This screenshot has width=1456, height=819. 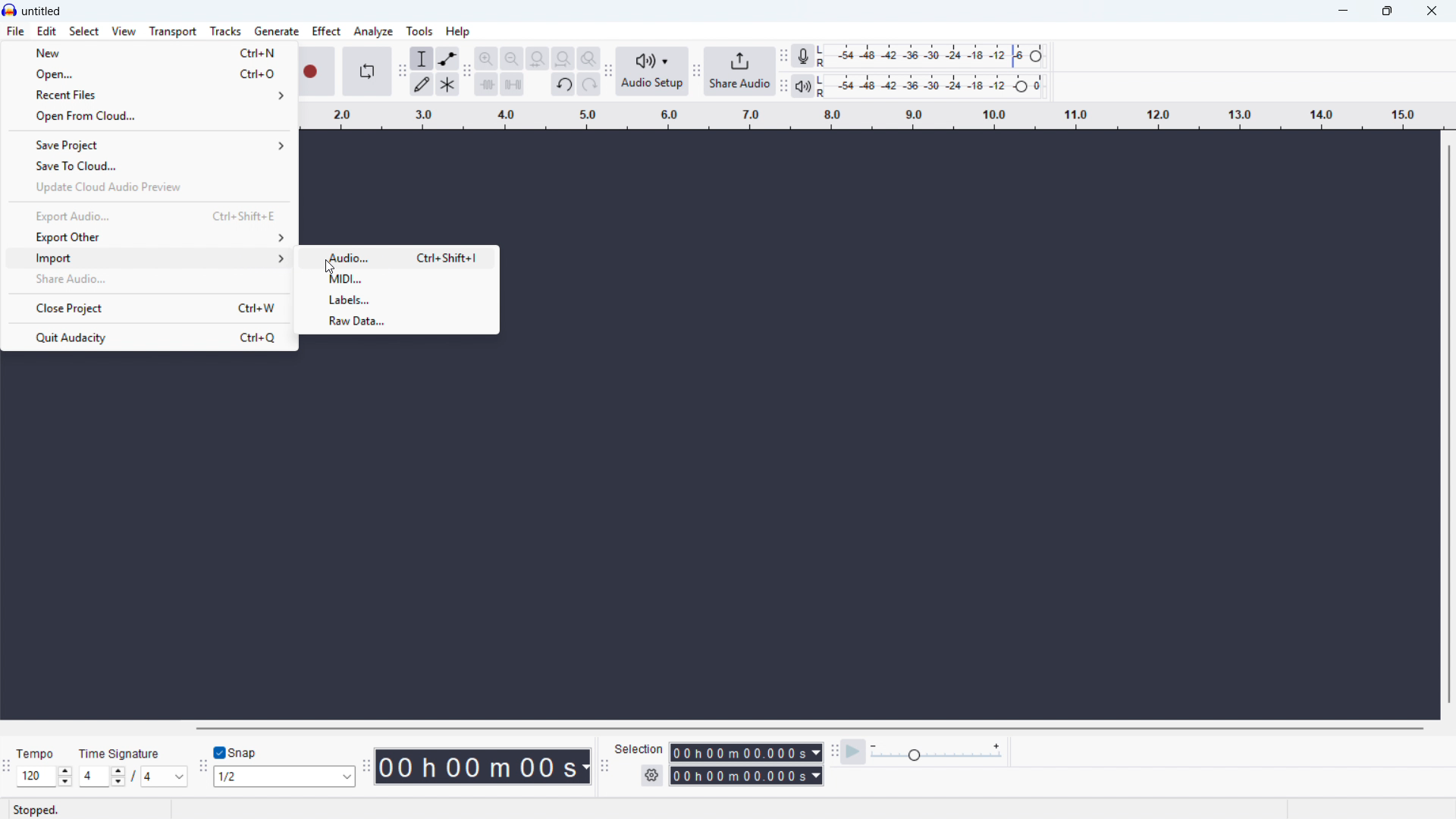 What do you see at coordinates (366, 768) in the screenshot?
I see `Time toolbar ` at bounding box center [366, 768].